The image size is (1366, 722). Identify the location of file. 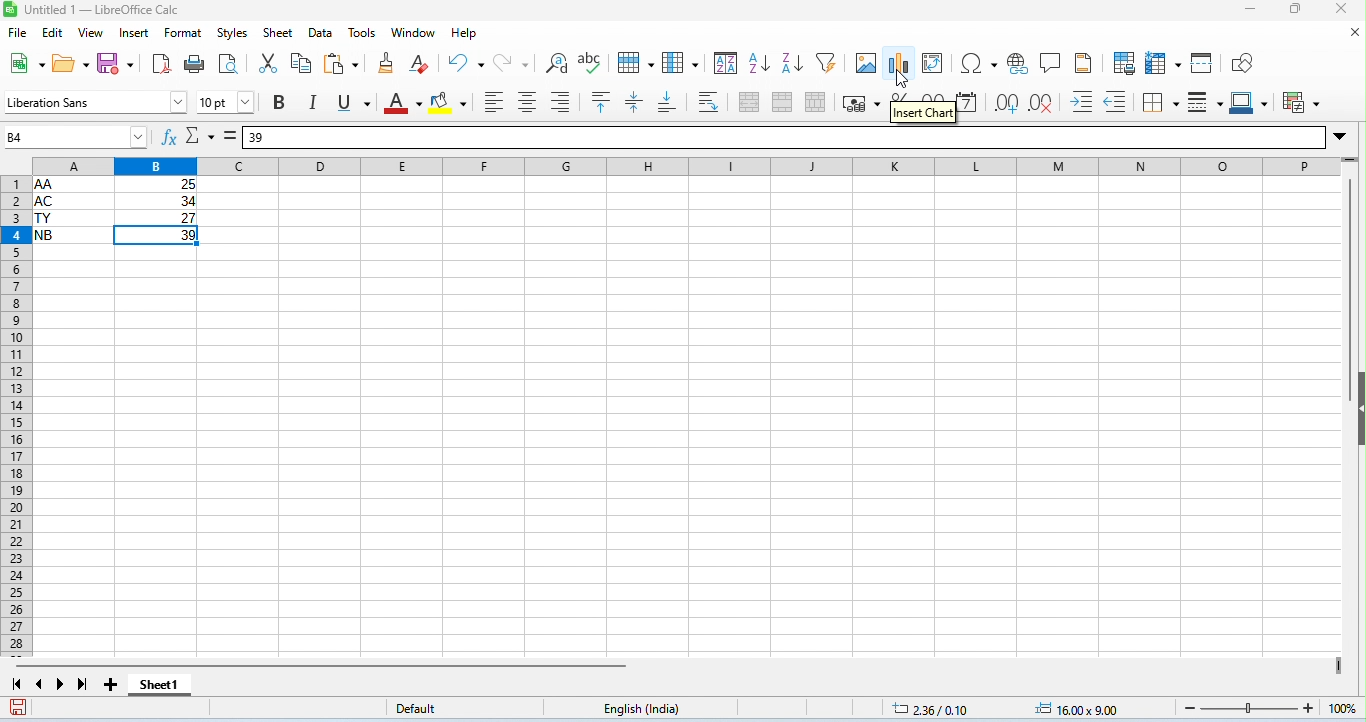
(17, 32).